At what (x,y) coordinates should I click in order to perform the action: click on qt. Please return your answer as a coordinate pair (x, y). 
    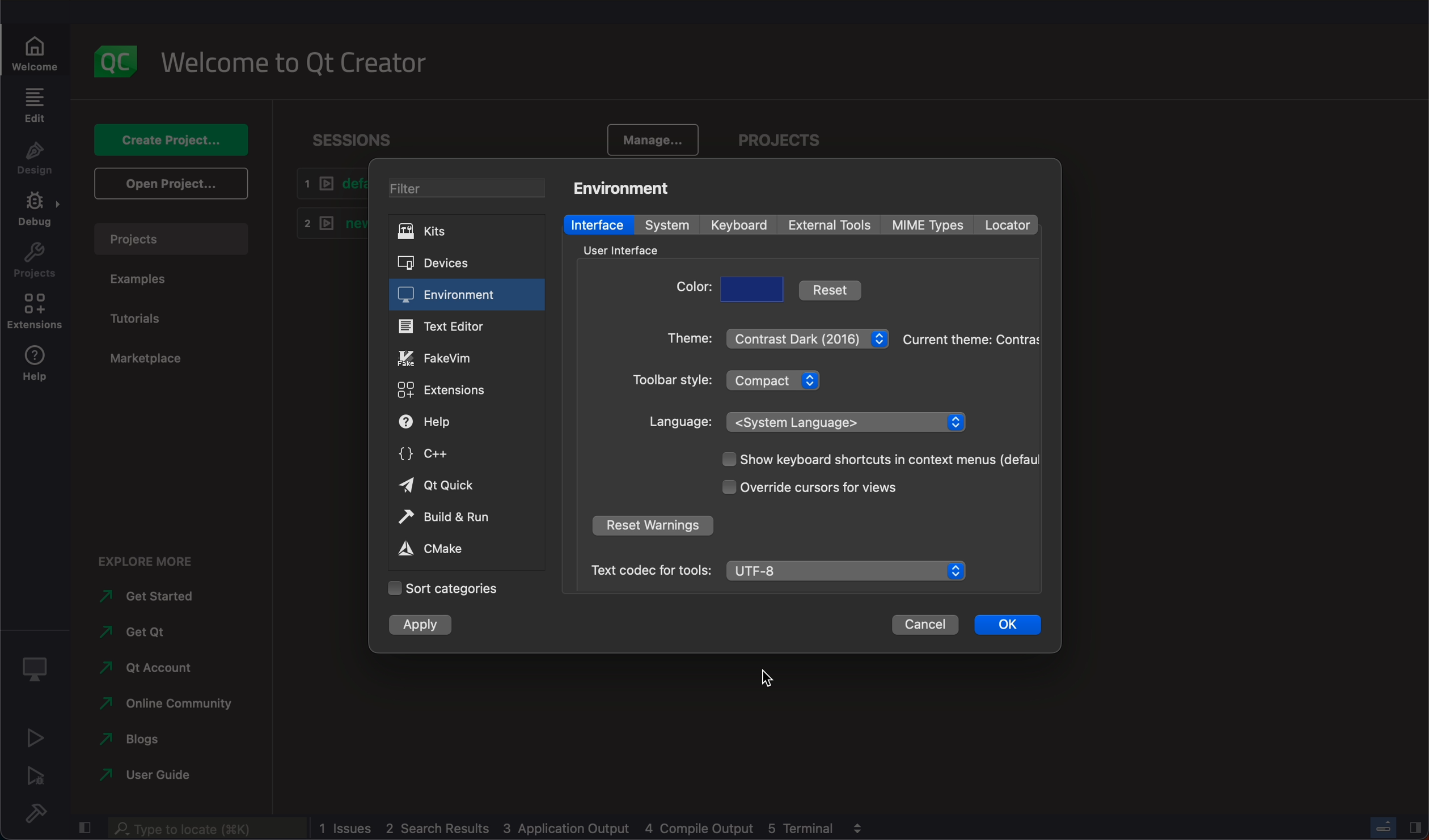
    Looking at the image, I should click on (145, 667).